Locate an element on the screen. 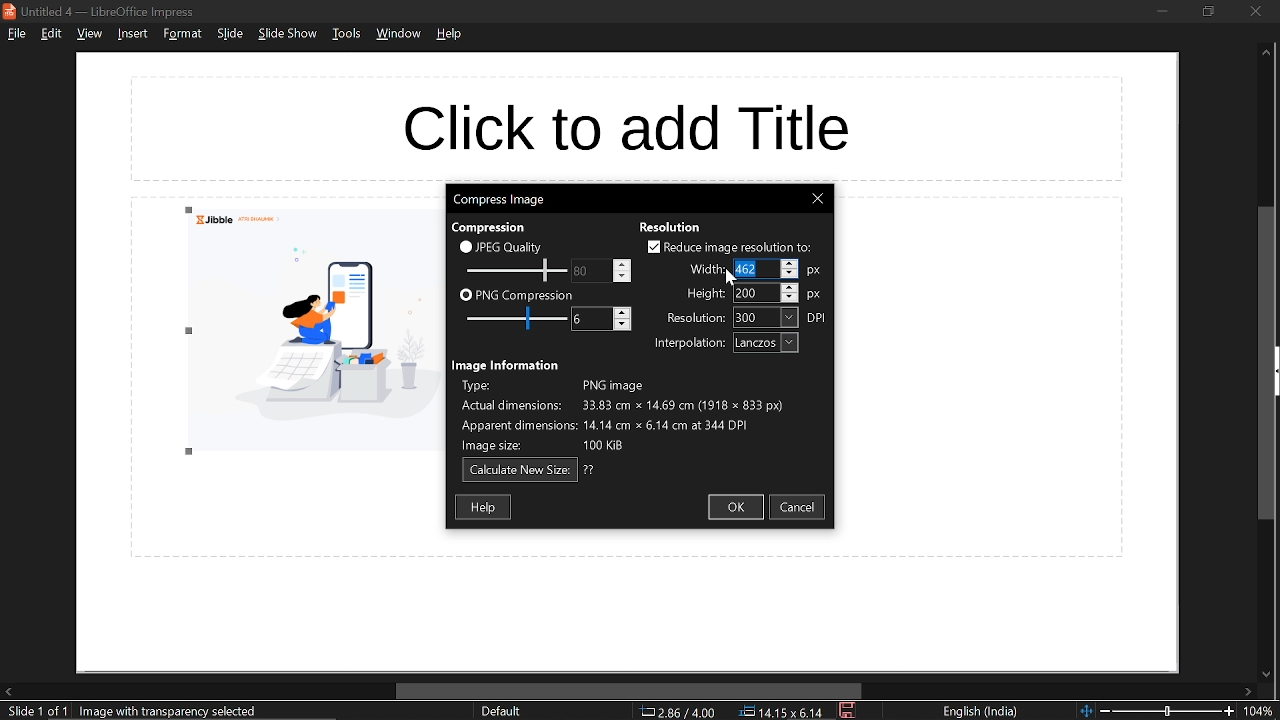 Image resolution: width=1280 pixels, height=720 pixels. close is located at coordinates (1255, 11).